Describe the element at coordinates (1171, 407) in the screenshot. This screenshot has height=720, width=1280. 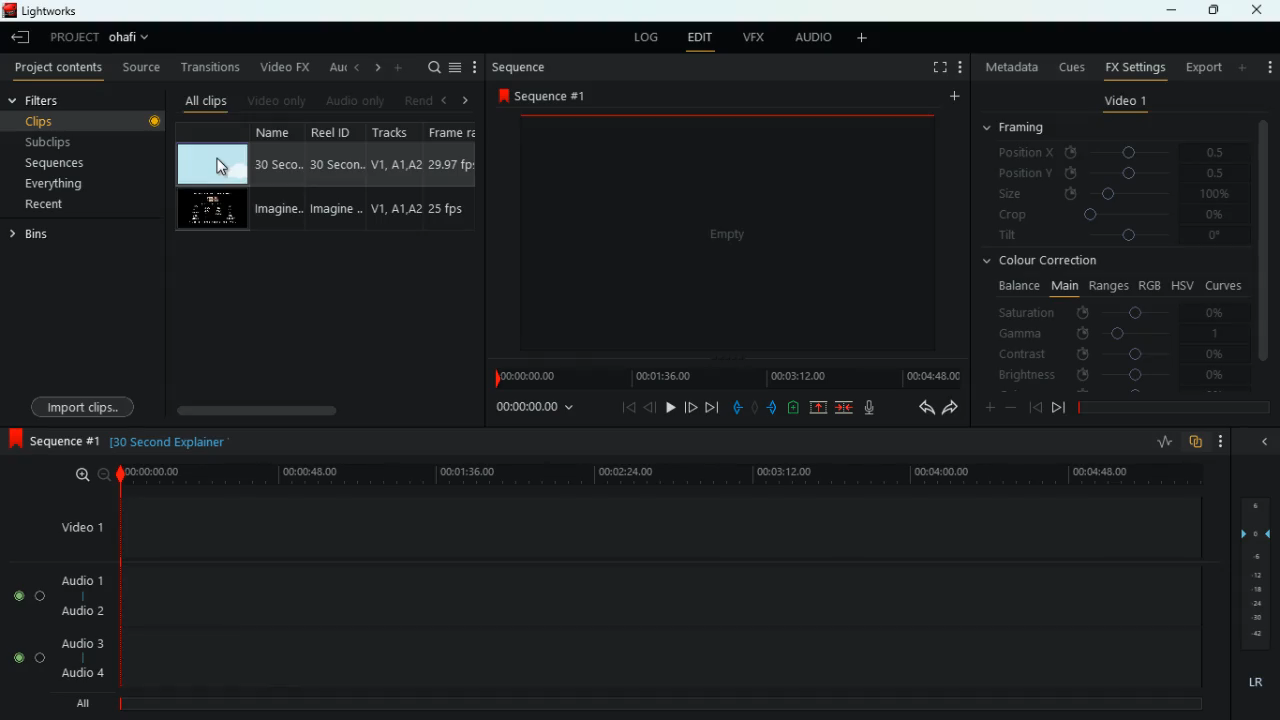
I see `timeline` at that location.